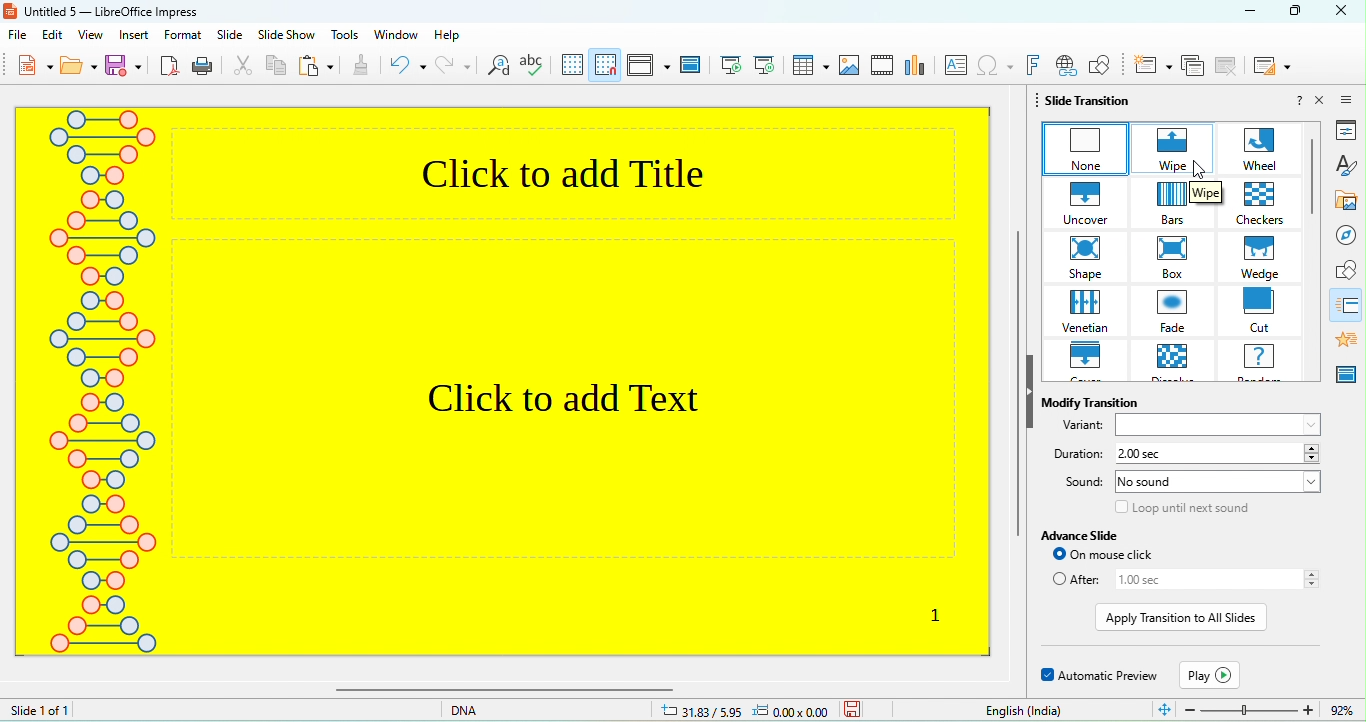 The height and width of the screenshot is (722, 1366). Describe the element at coordinates (661, 691) in the screenshot. I see `horizontal scroll bar` at that location.